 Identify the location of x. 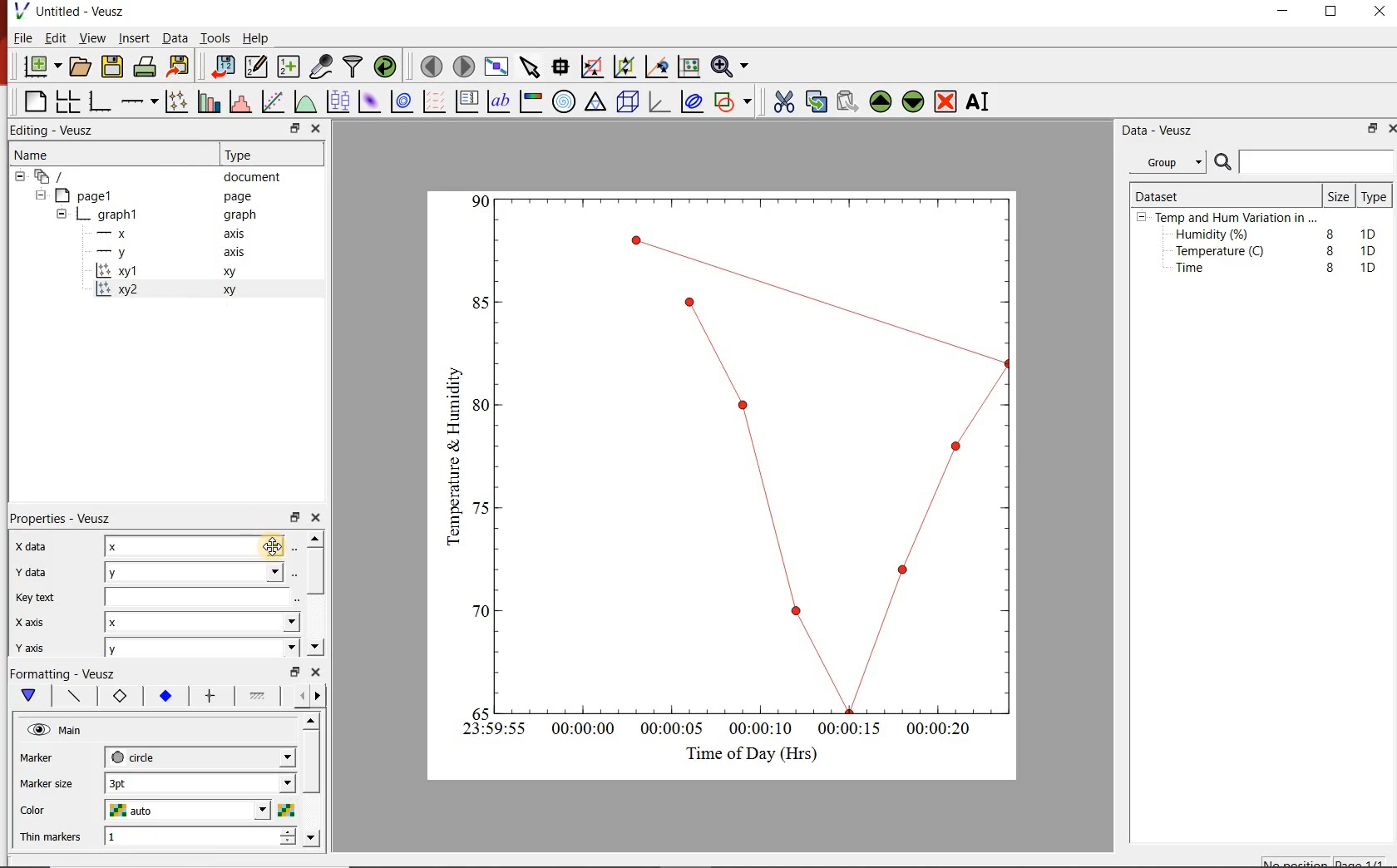
(146, 547).